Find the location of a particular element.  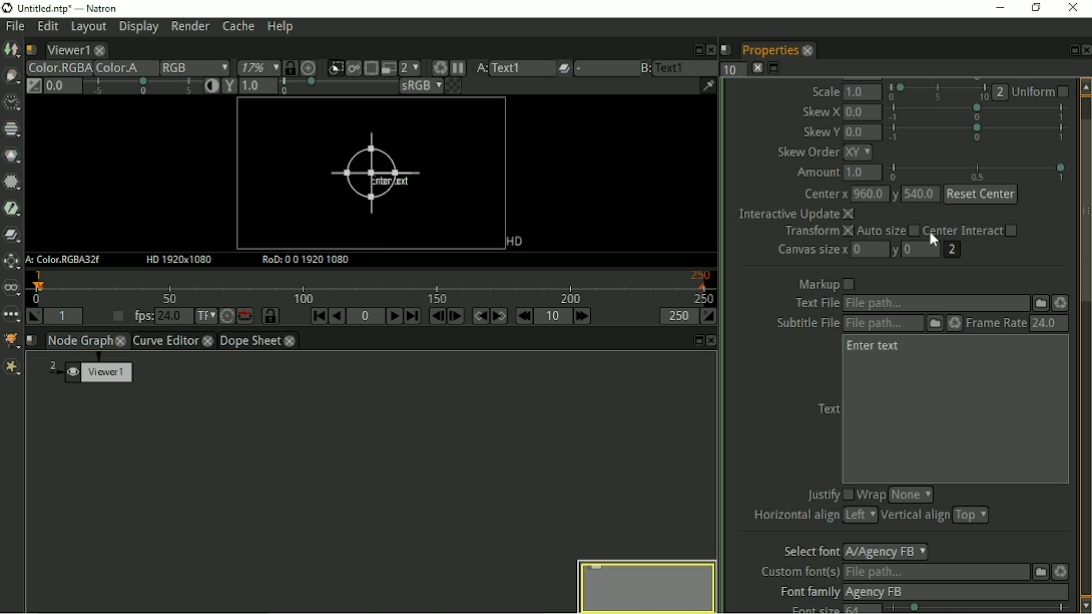

Auto size is located at coordinates (888, 231).